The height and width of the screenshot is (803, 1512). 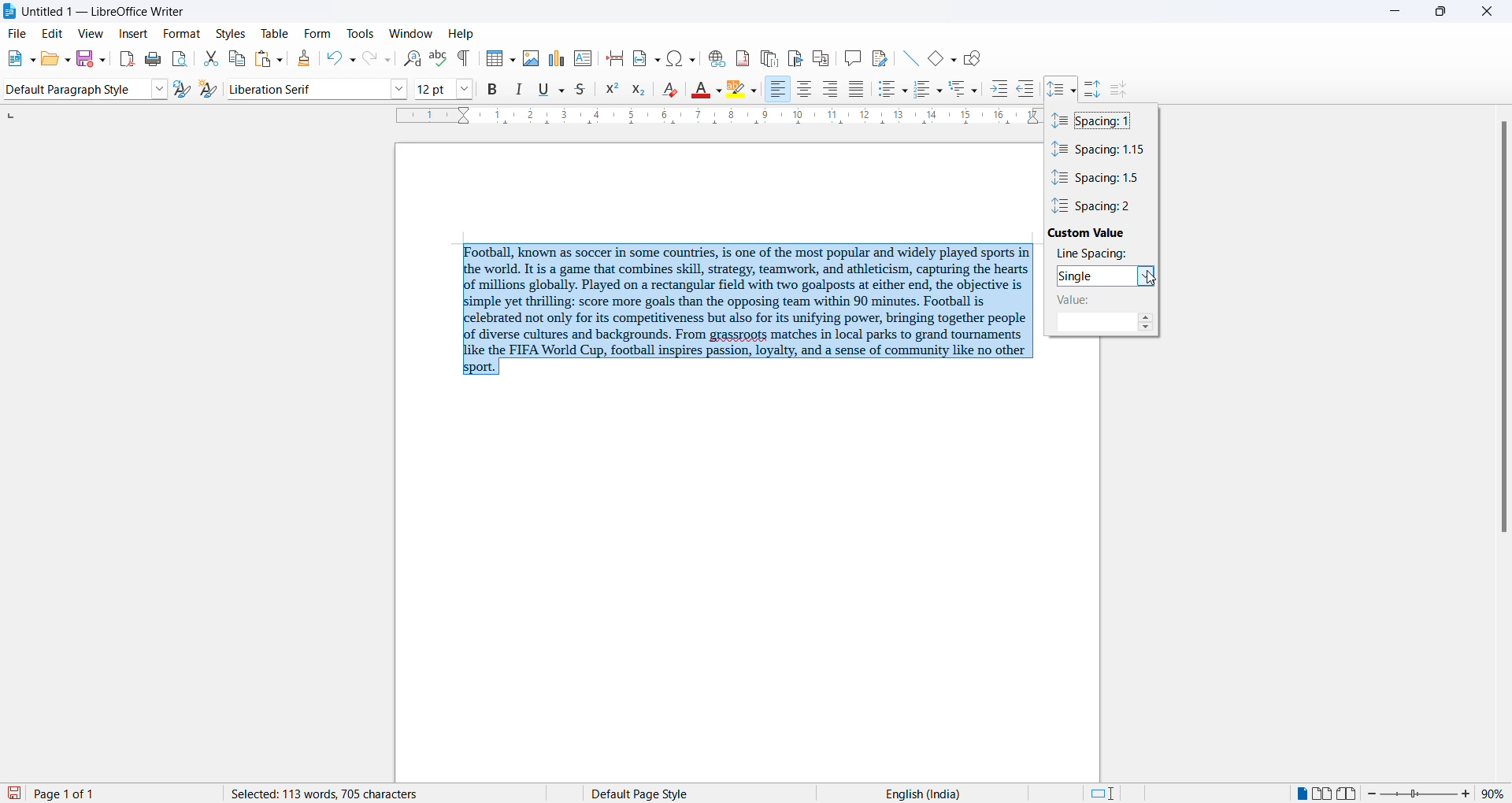 I want to click on toggle ordered list , so click(x=941, y=91).